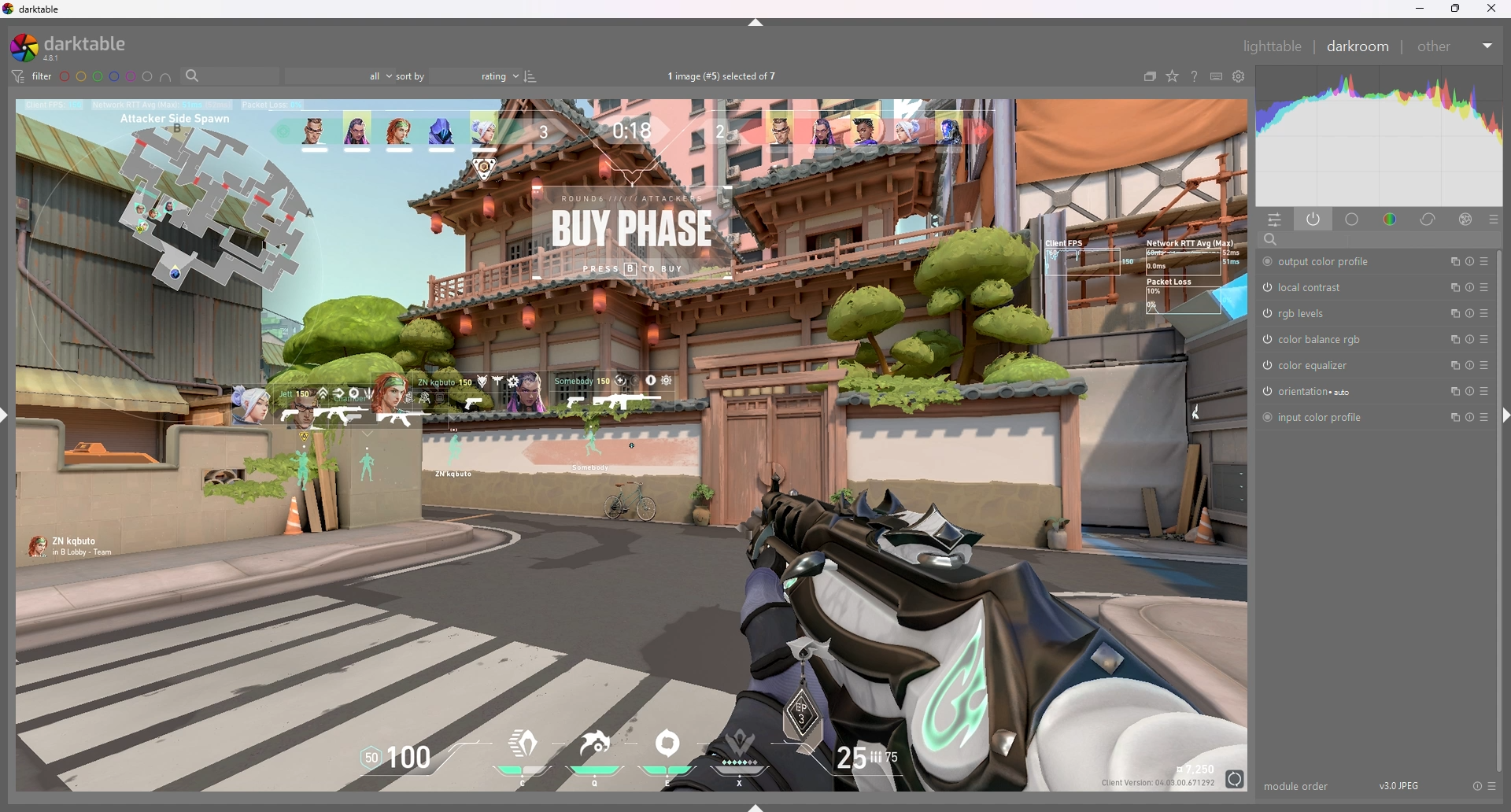 The width and height of the screenshot is (1511, 812). What do you see at coordinates (1485, 364) in the screenshot?
I see `presets` at bounding box center [1485, 364].